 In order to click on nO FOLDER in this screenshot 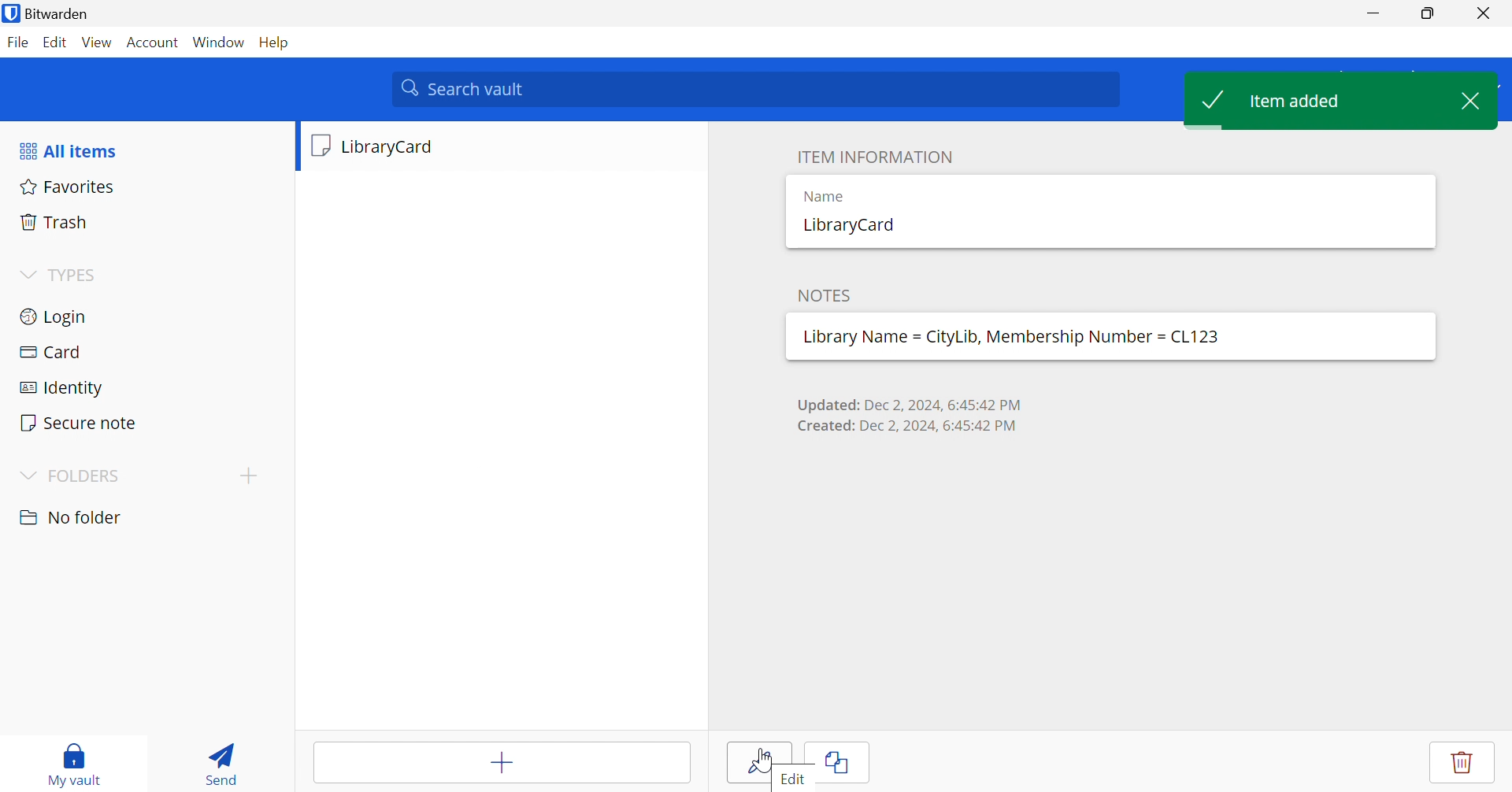, I will do `click(74, 517)`.